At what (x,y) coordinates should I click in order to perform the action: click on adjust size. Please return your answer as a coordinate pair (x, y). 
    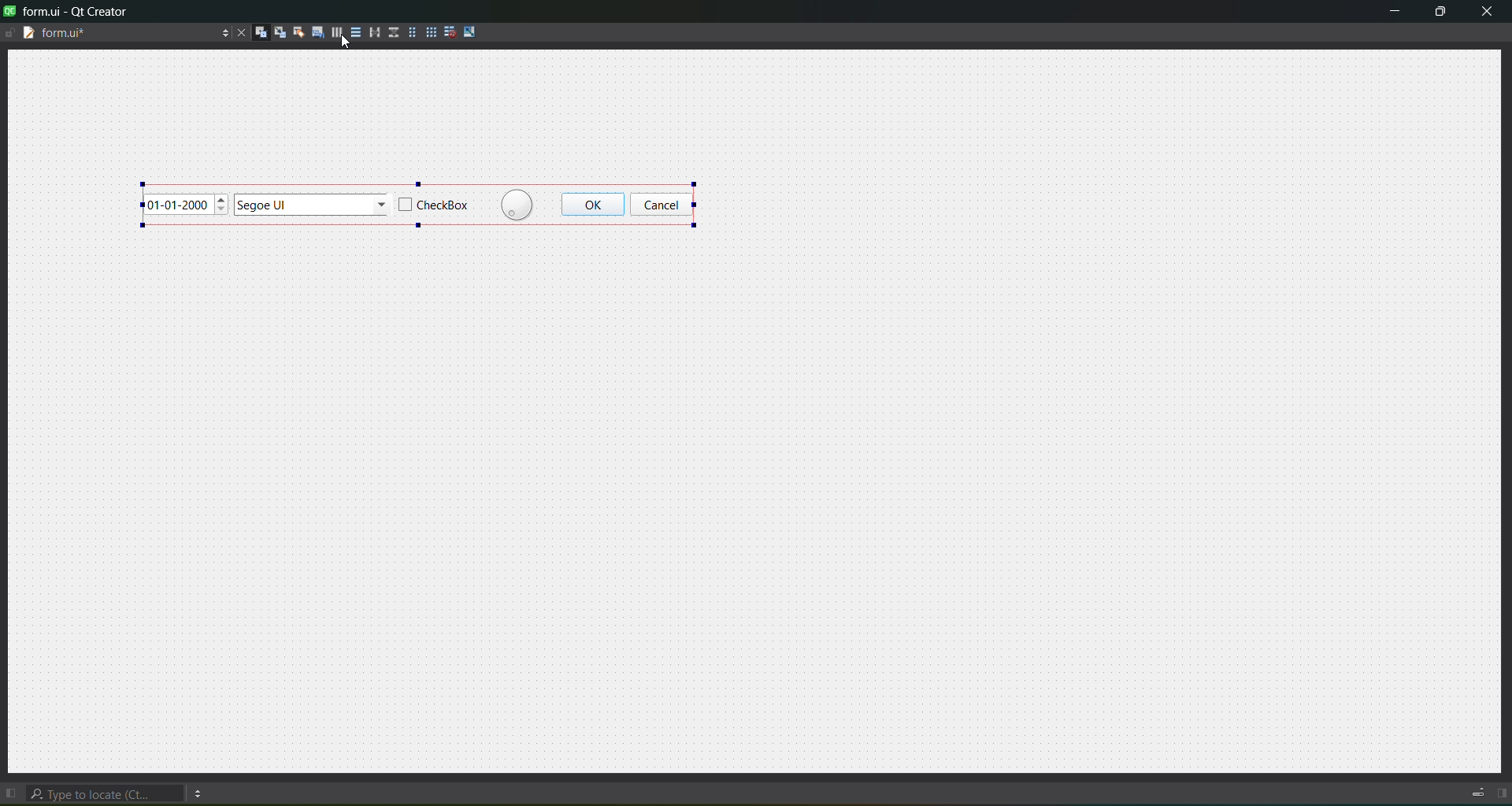
    Looking at the image, I should click on (470, 32).